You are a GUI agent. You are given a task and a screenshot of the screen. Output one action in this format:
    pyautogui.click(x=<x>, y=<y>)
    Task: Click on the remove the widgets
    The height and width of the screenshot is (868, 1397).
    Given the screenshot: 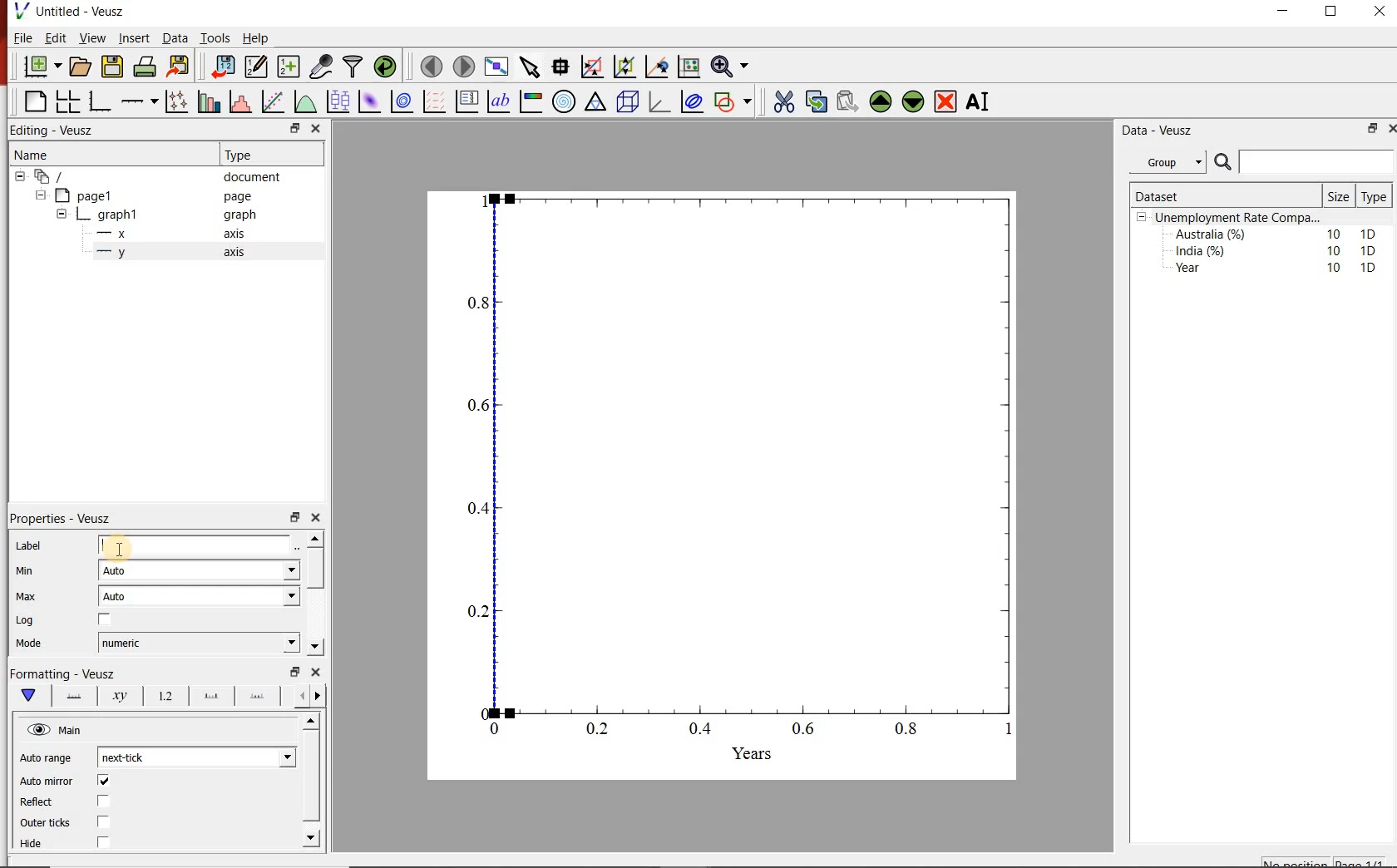 What is the action you would take?
    pyautogui.click(x=945, y=101)
    